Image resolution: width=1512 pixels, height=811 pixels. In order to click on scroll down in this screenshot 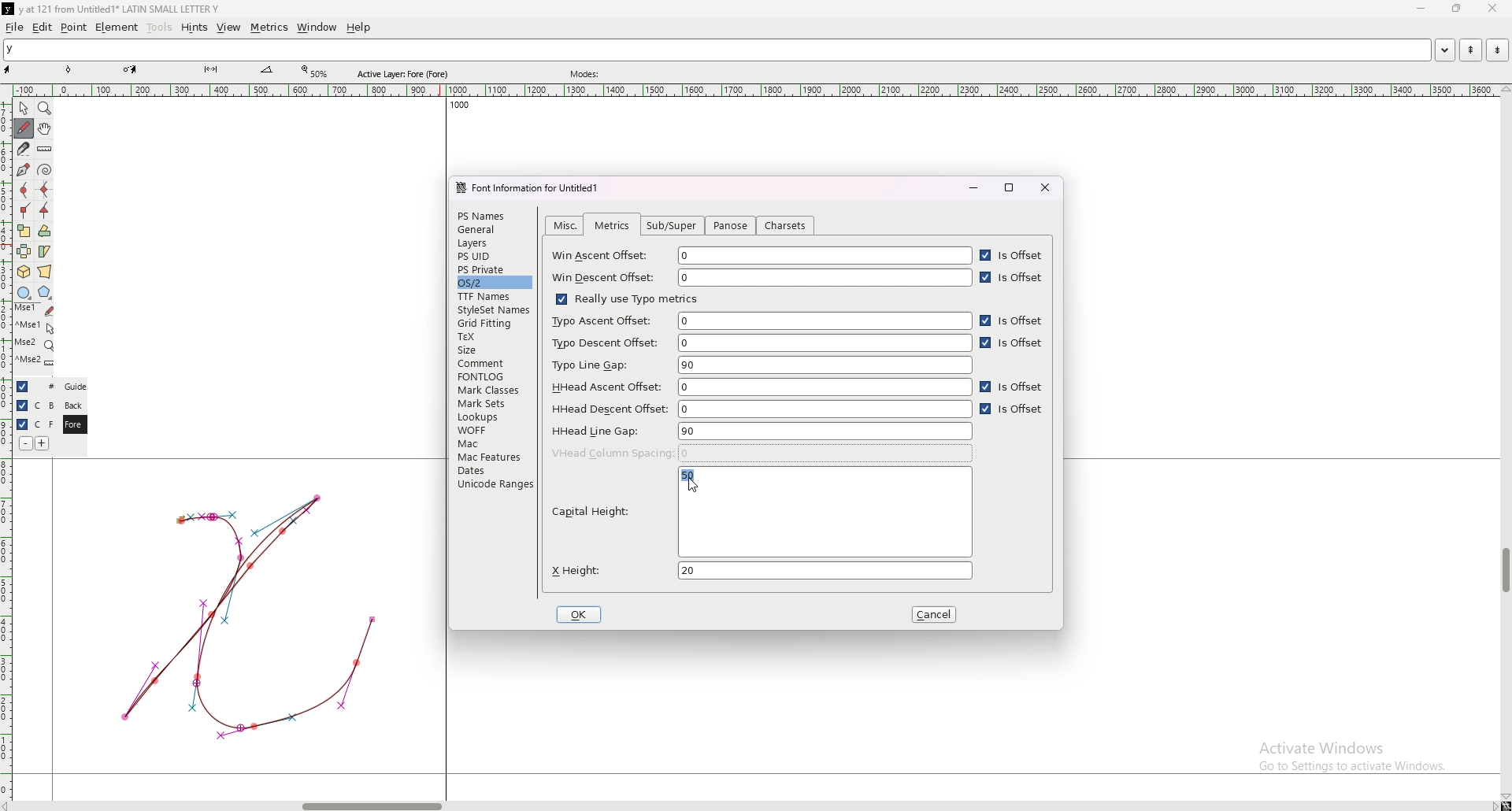, I will do `click(1505, 797)`.